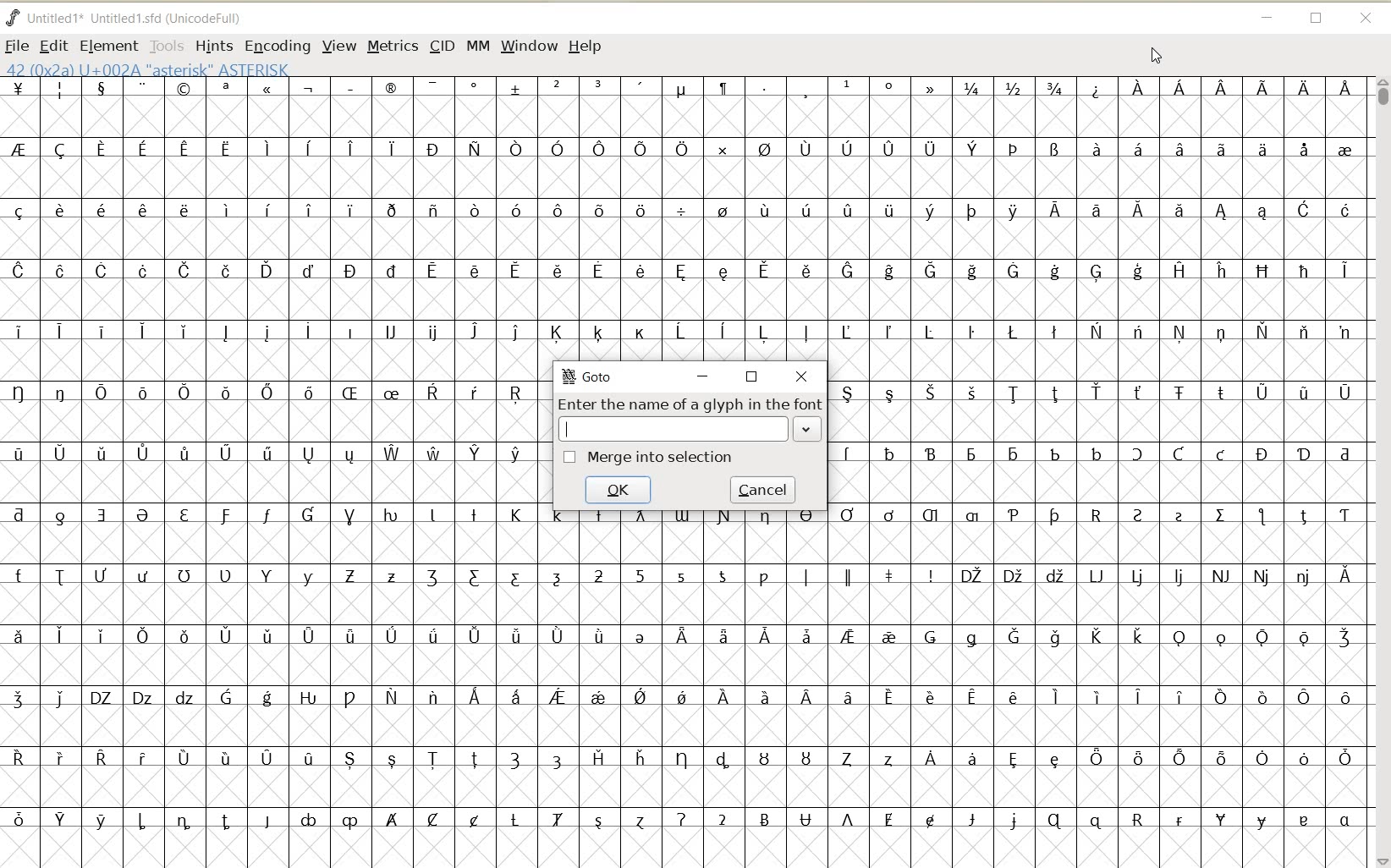  Describe the element at coordinates (528, 47) in the screenshot. I see `WINDOW` at that location.